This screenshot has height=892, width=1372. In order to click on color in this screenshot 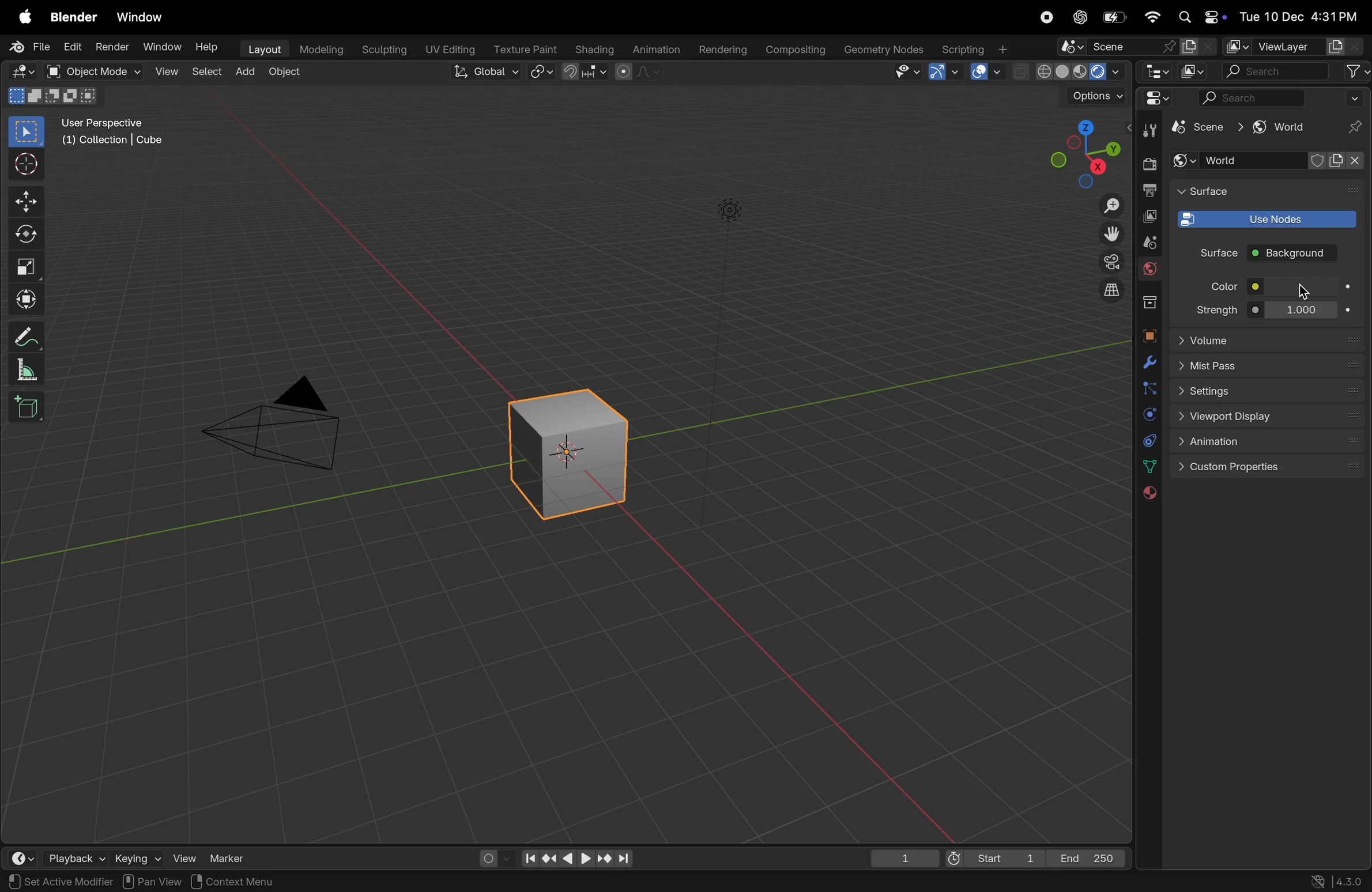, I will do `click(1219, 286)`.